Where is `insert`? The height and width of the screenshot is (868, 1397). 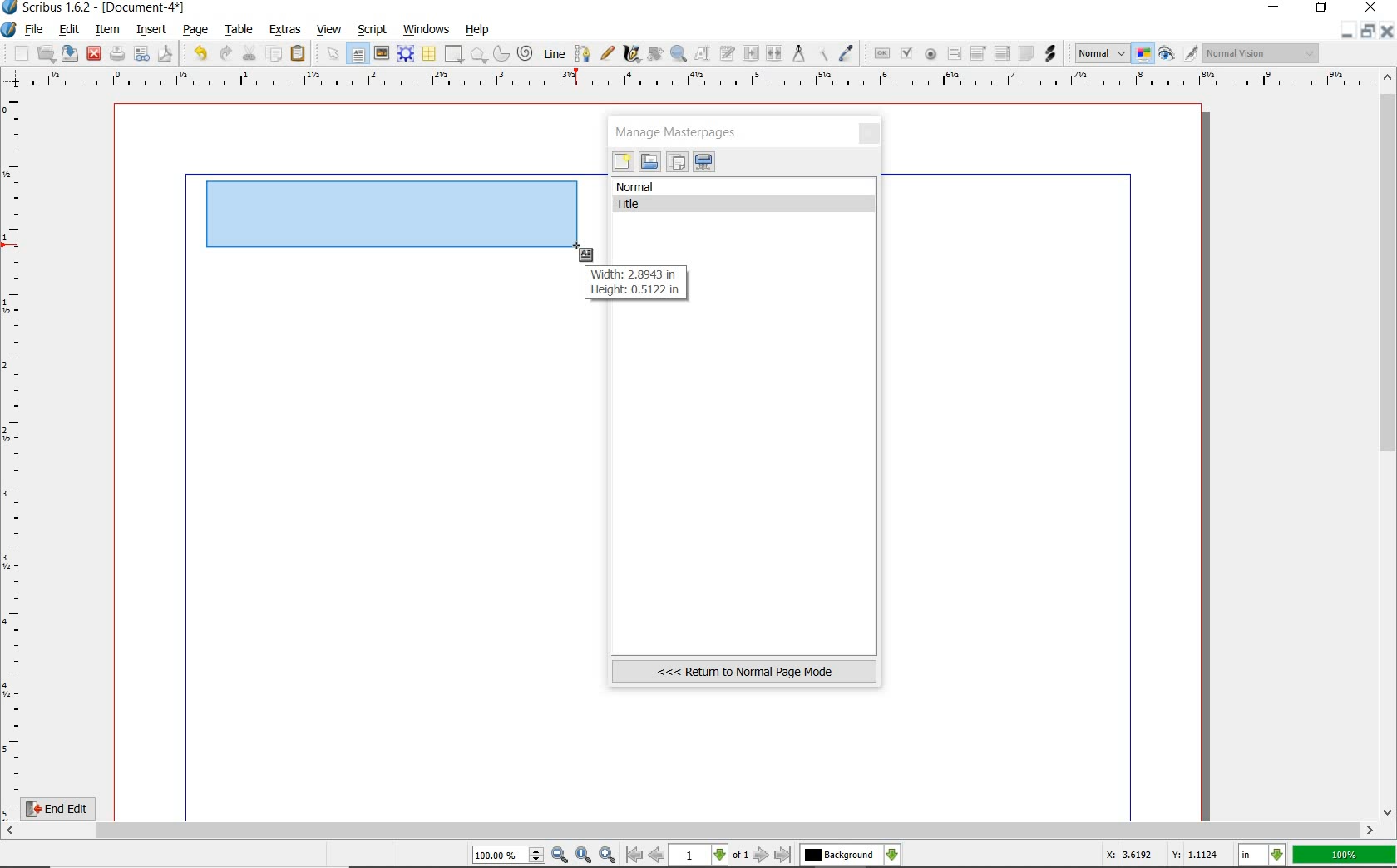
insert is located at coordinates (151, 29).